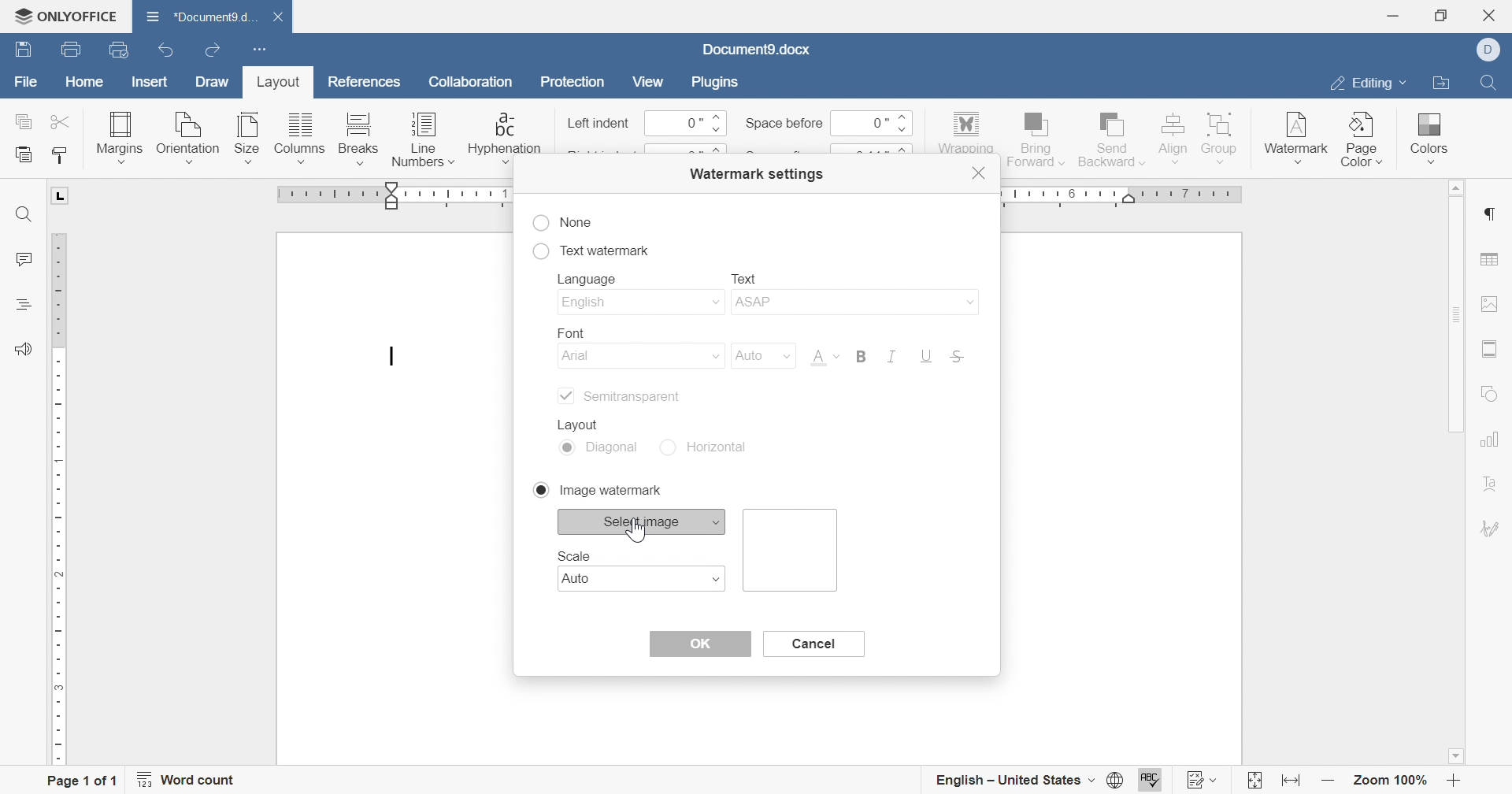  I want to click on plugins, so click(712, 80).